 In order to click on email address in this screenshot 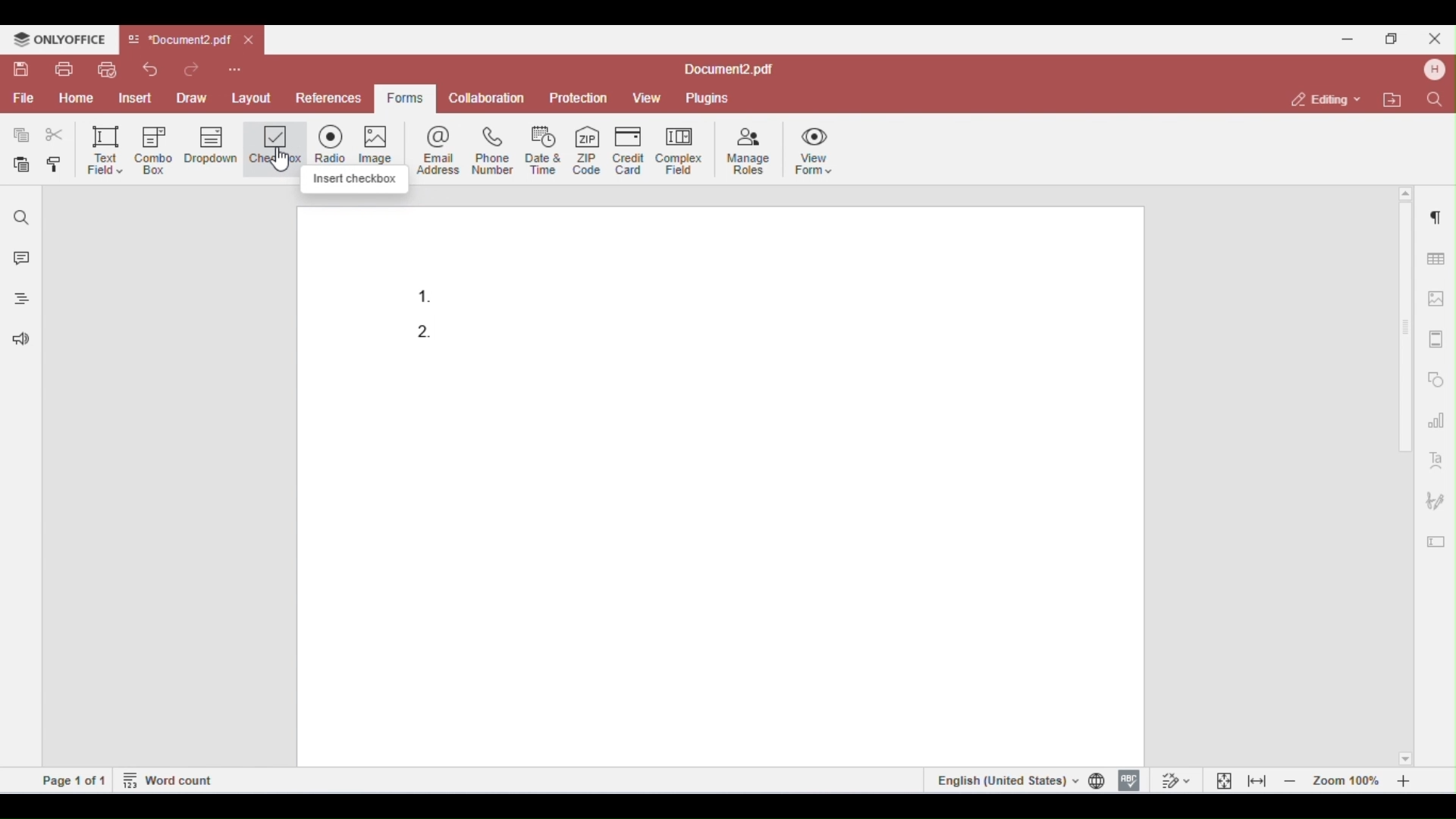, I will do `click(441, 149)`.